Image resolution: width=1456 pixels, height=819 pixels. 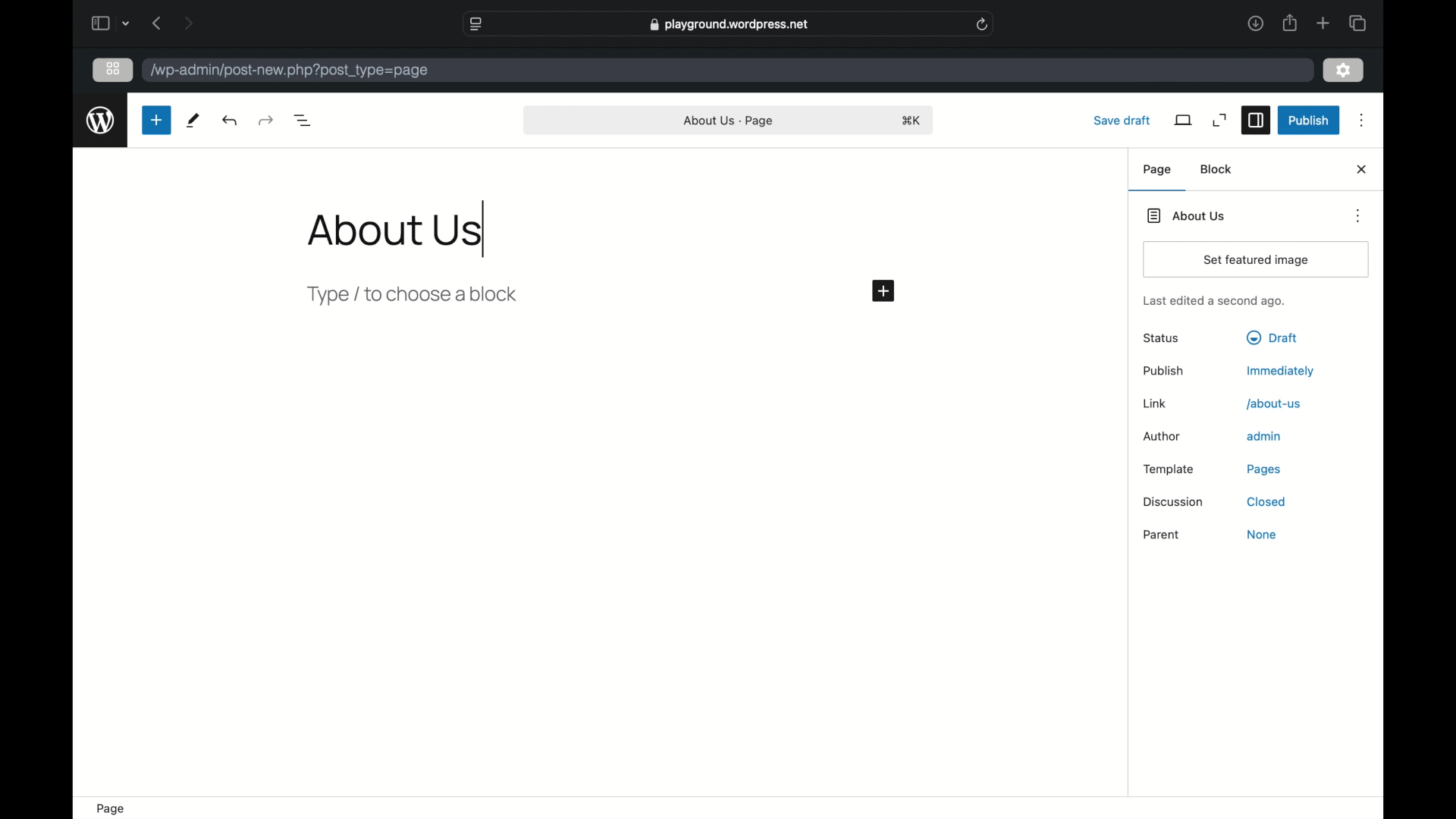 What do you see at coordinates (983, 24) in the screenshot?
I see `refresh` at bounding box center [983, 24].